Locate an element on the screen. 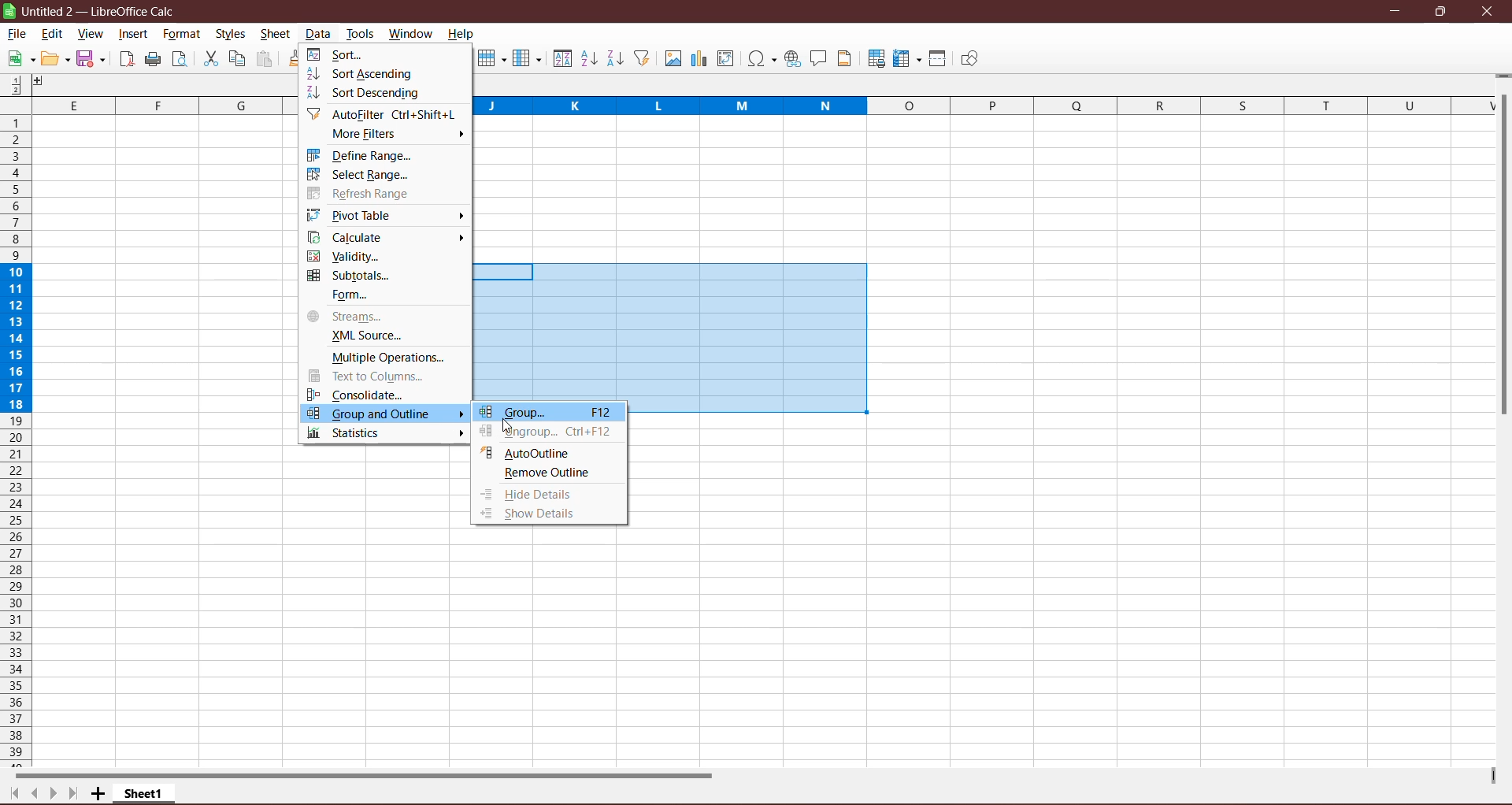 The height and width of the screenshot is (805, 1512). Sort Descending is located at coordinates (616, 58).